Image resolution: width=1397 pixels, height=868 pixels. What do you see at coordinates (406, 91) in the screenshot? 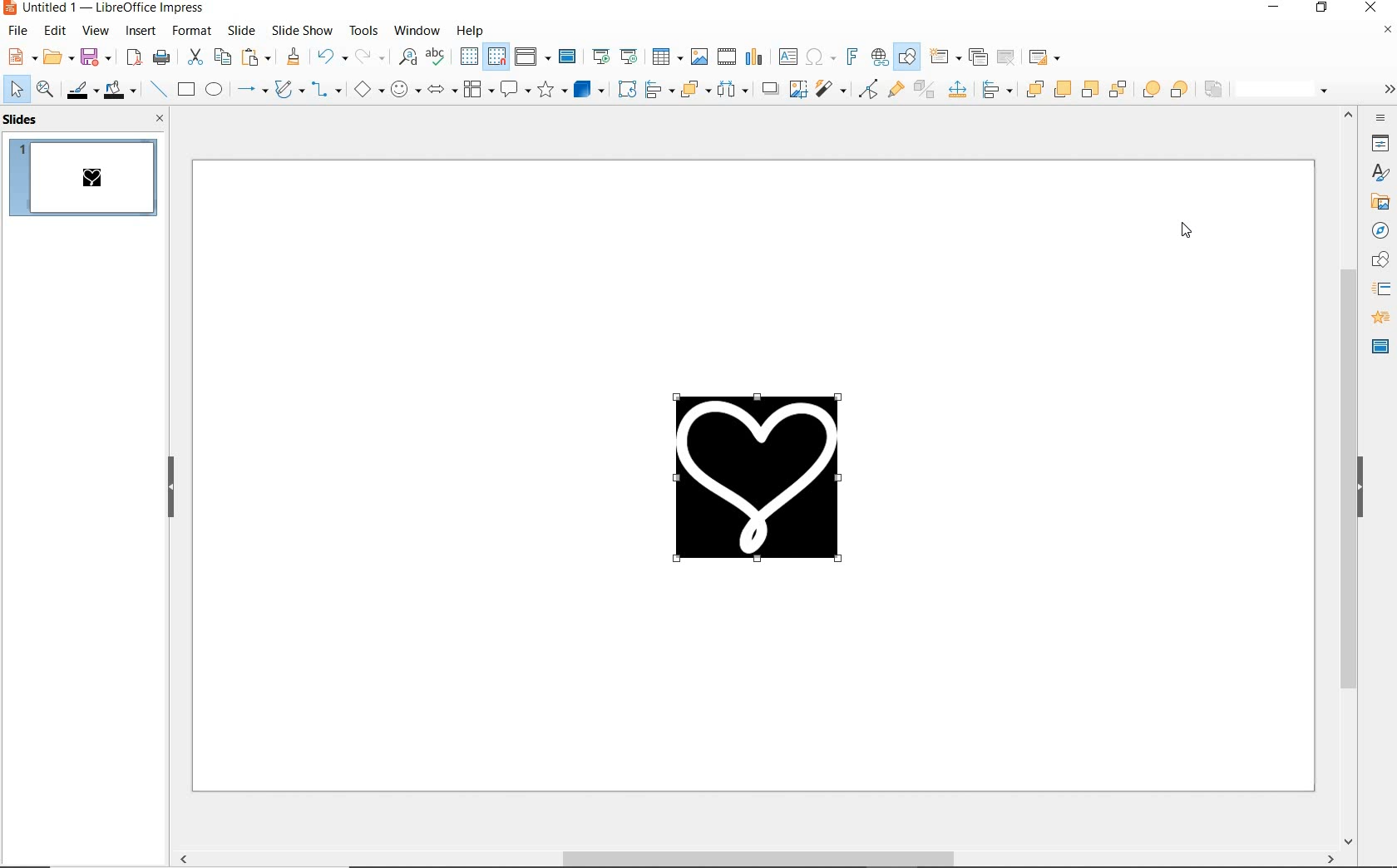
I see `symbol shapes` at bounding box center [406, 91].